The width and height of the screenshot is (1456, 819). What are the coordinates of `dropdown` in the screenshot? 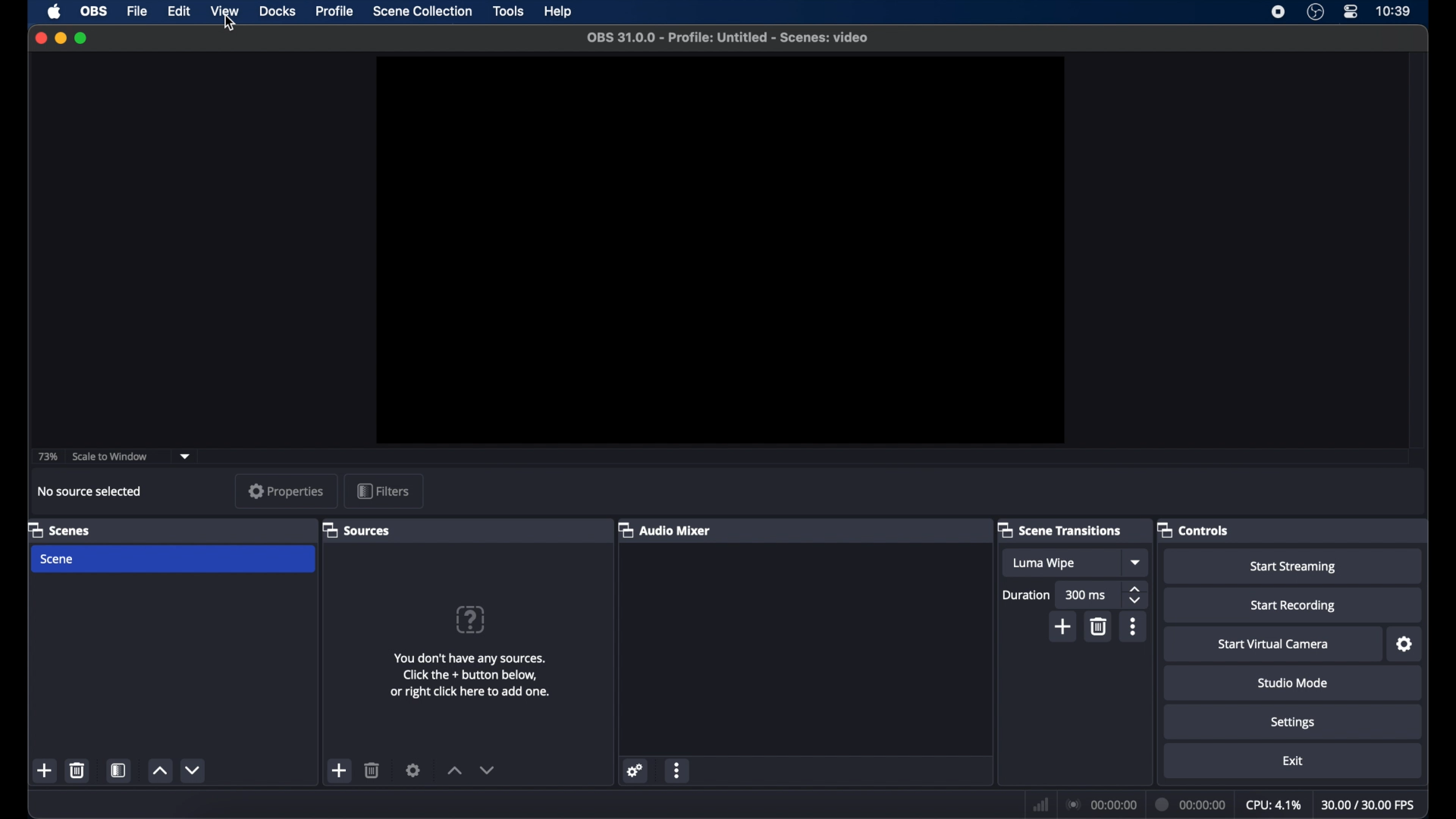 It's located at (185, 455).